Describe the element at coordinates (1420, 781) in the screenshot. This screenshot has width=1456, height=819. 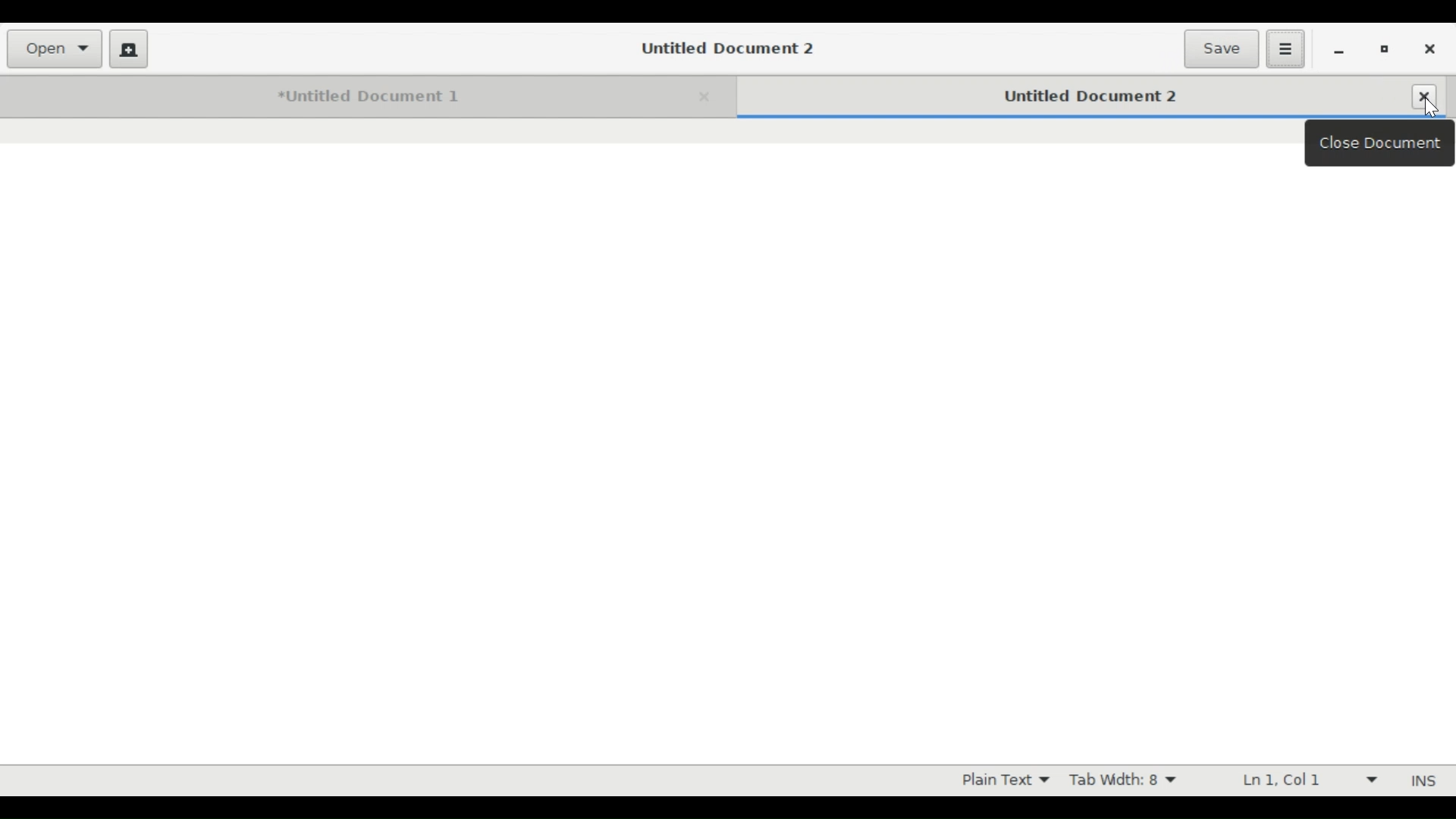
I see `Insert` at that location.